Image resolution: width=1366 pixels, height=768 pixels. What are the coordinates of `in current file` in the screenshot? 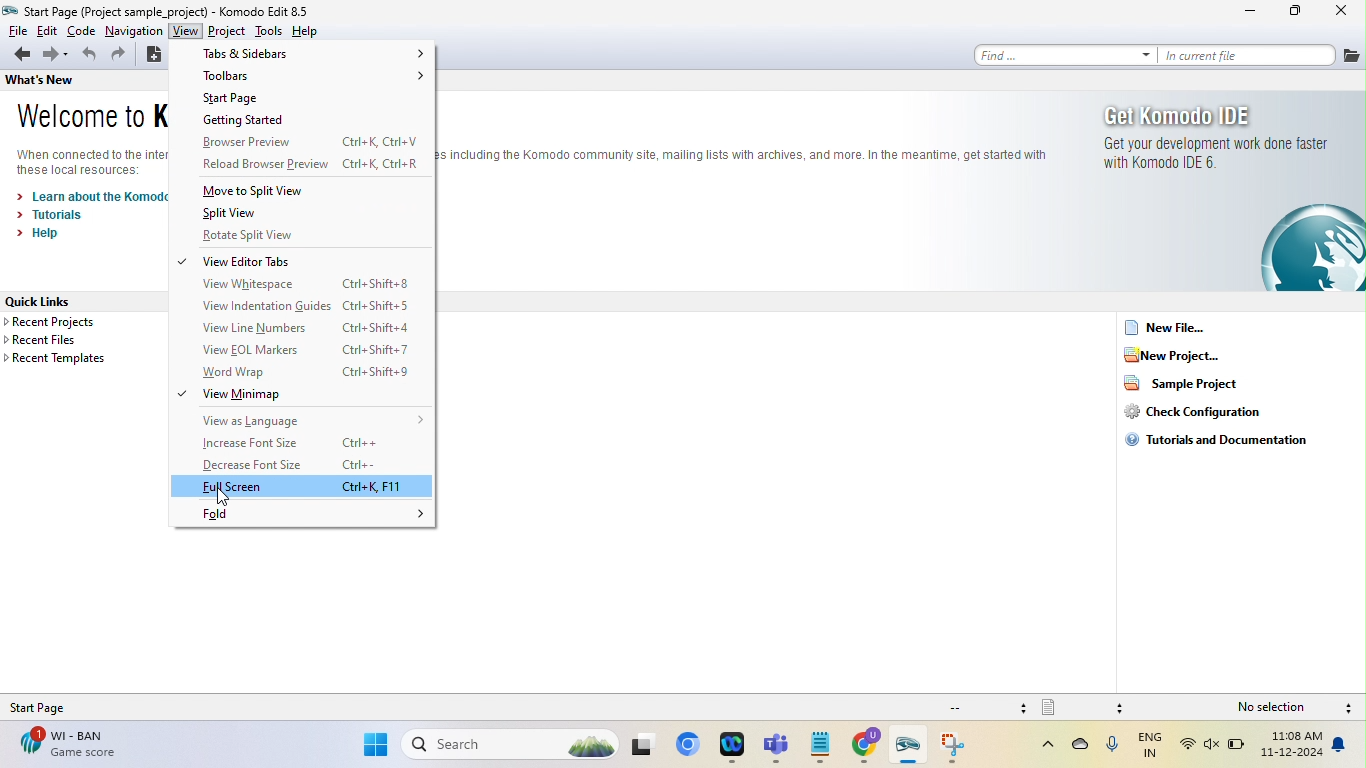 It's located at (1246, 55).